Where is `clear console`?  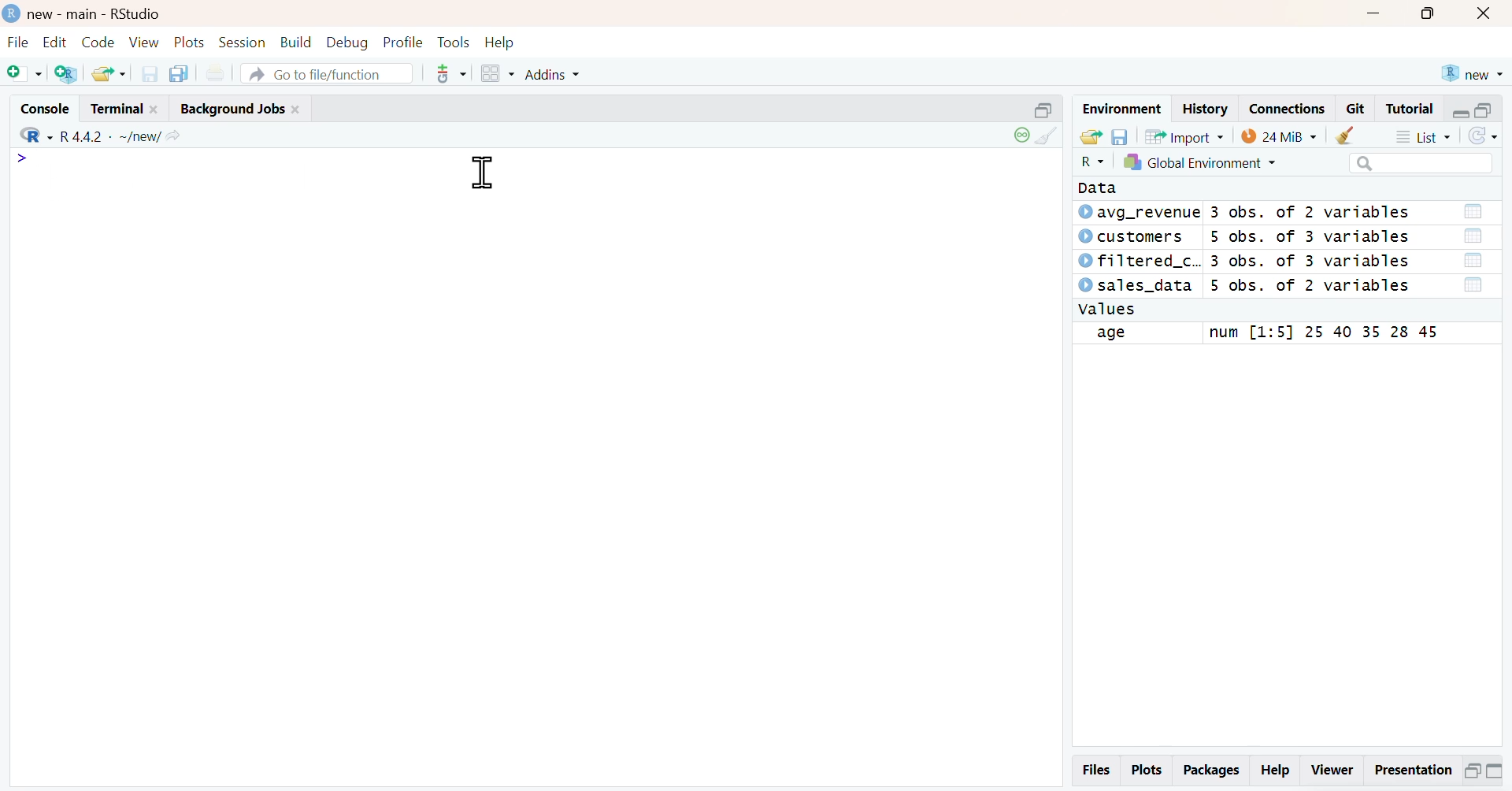 clear console is located at coordinates (1051, 136).